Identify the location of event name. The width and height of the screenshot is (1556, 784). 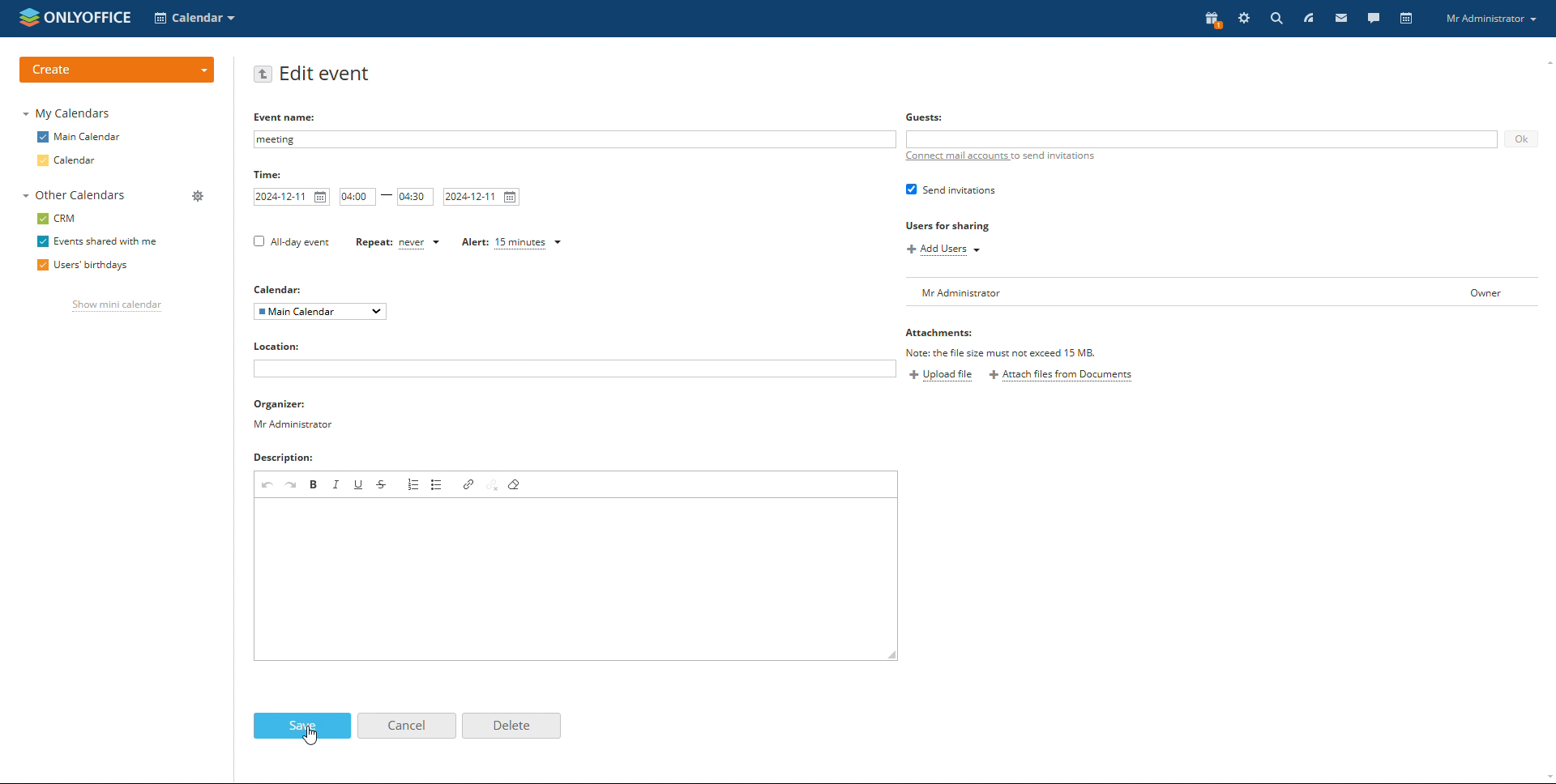
(575, 139).